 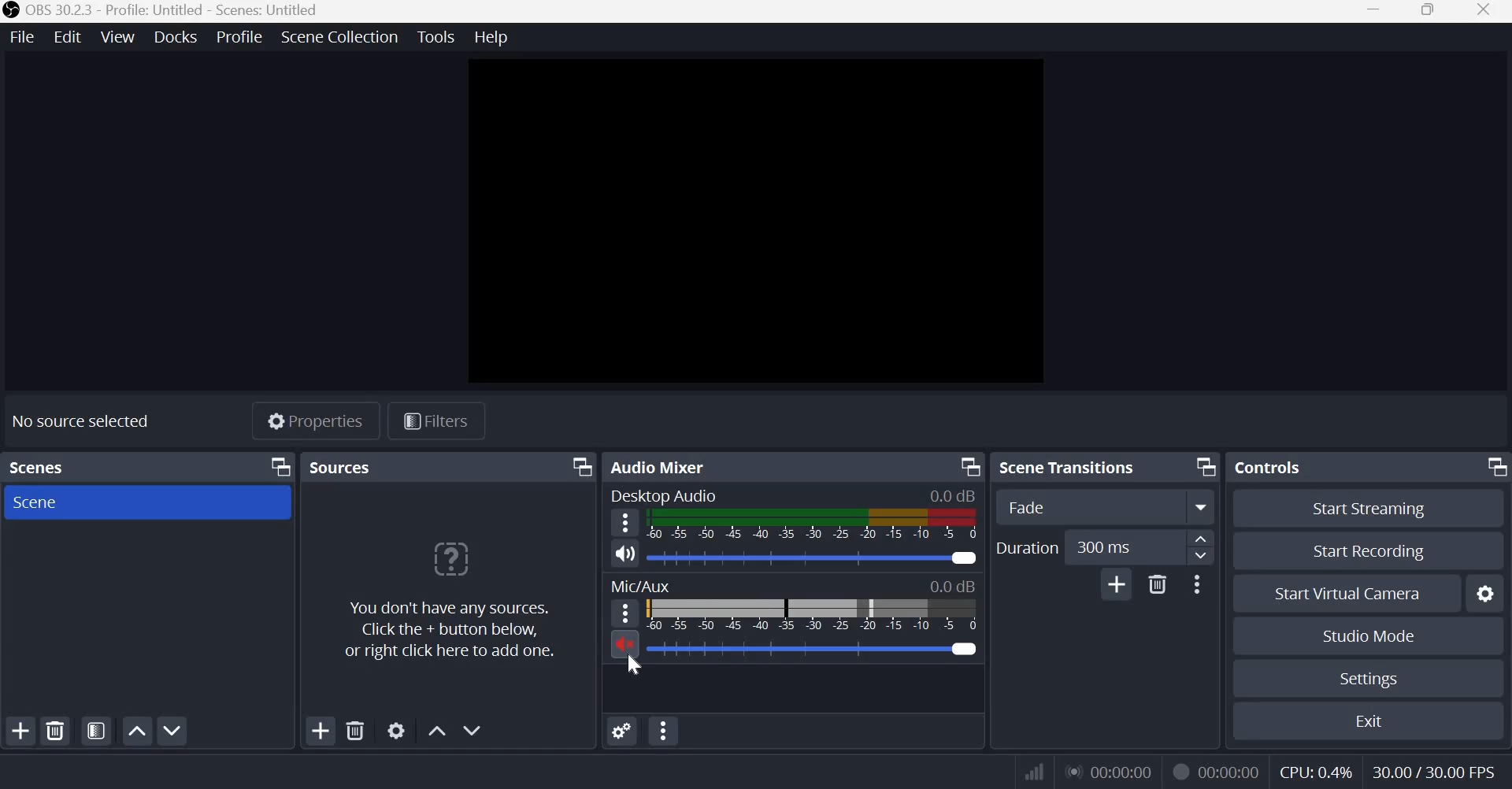 What do you see at coordinates (319, 420) in the screenshot?
I see `Properties` at bounding box center [319, 420].